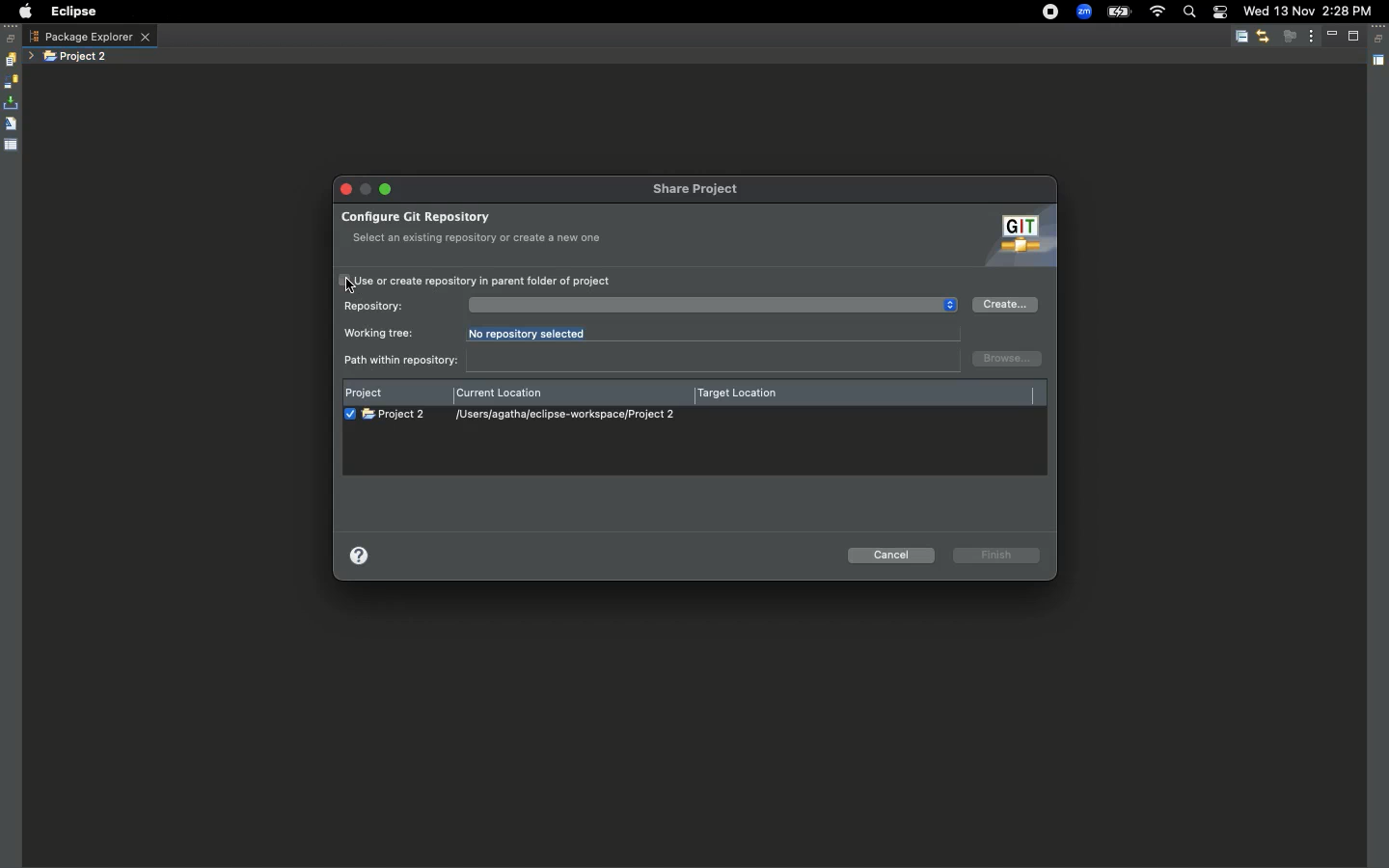  What do you see at coordinates (347, 414) in the screenshot?
I see `check button: checked` at bounding box center [347, 414].